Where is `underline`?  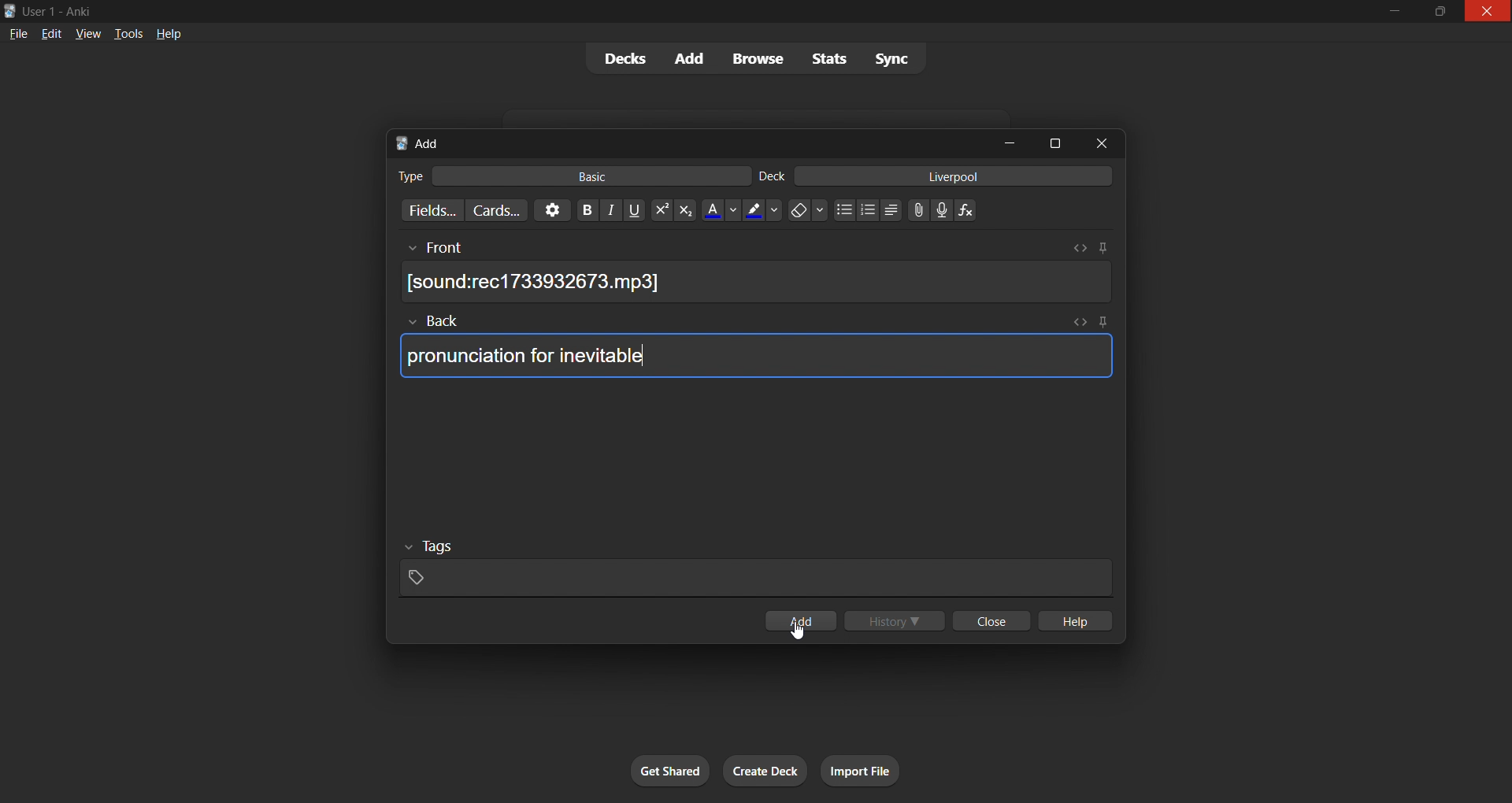
underline is located at coordinates (634, 210).